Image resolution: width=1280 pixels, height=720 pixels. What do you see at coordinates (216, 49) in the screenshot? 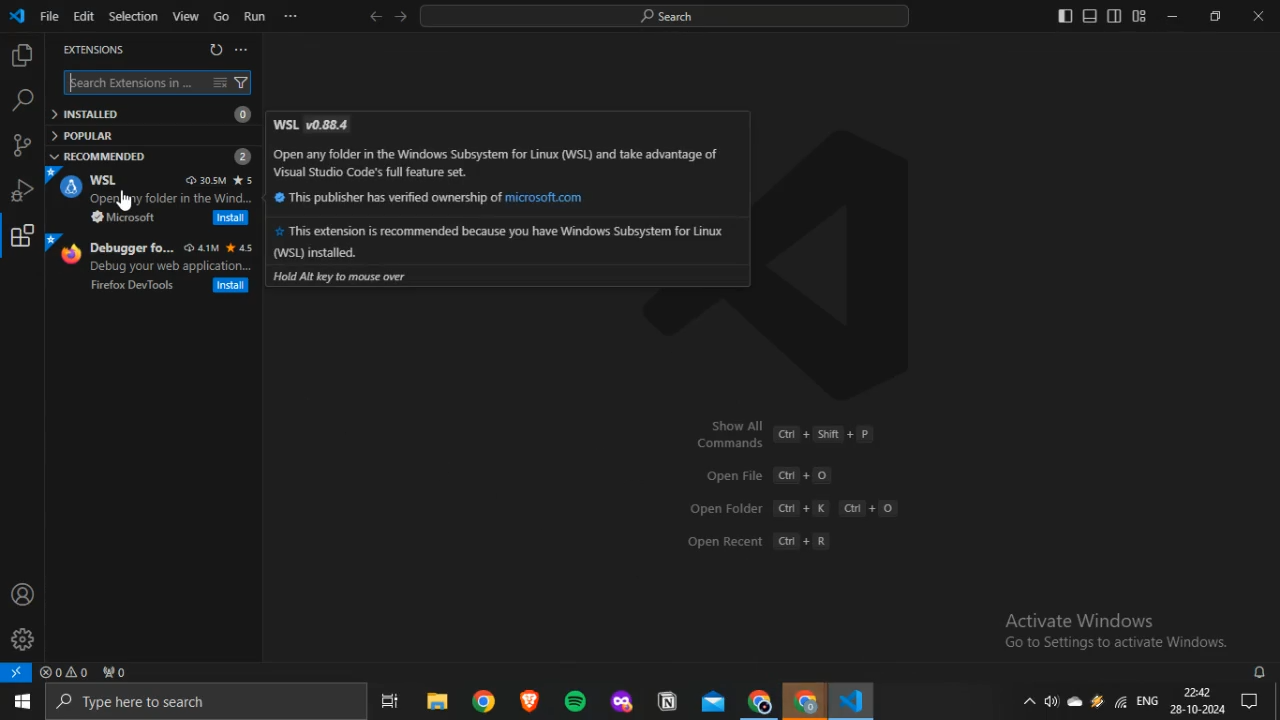
I see `refresh` at bounding box center [216, 49].